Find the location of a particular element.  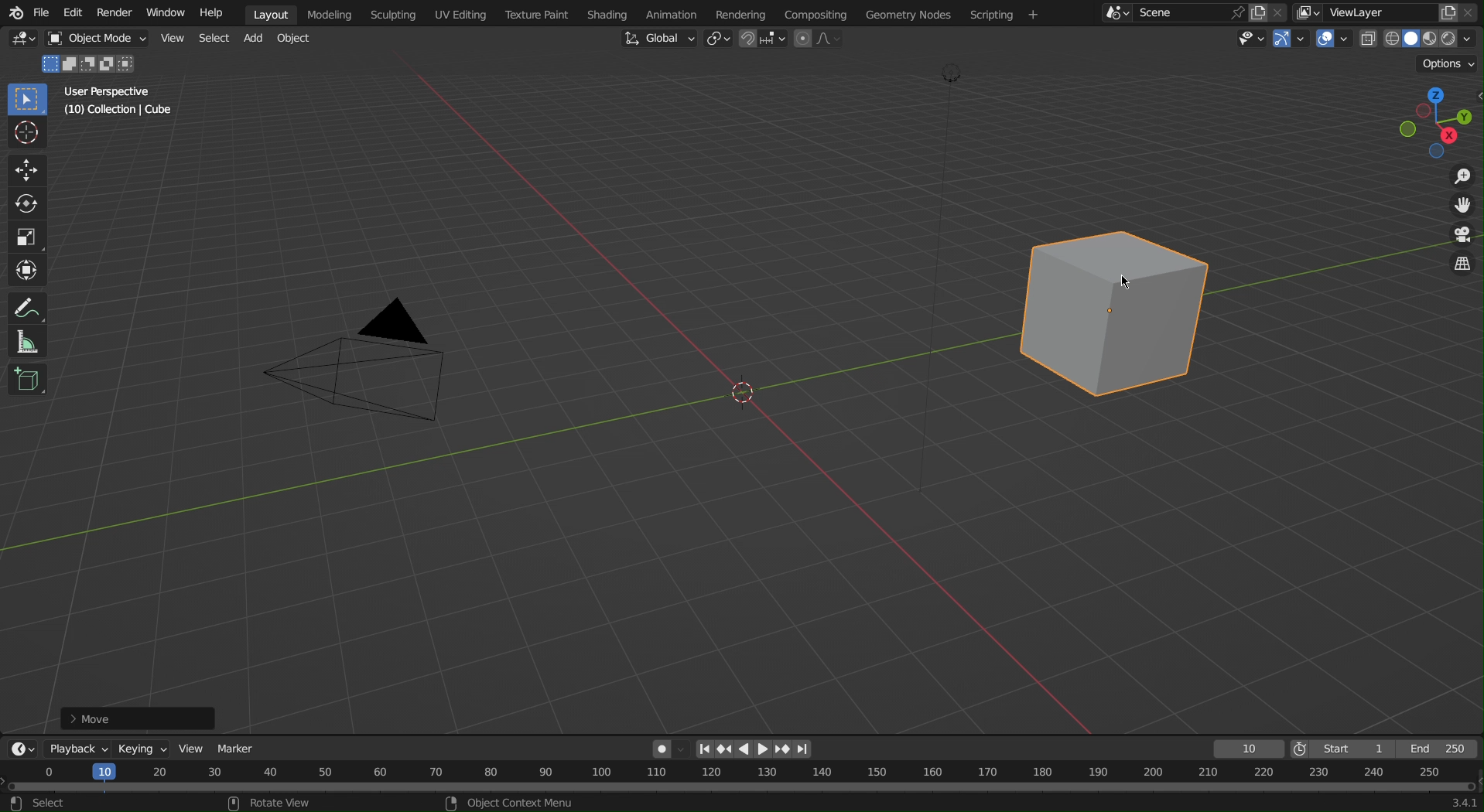

Scale is located at coordinates (29, 234).